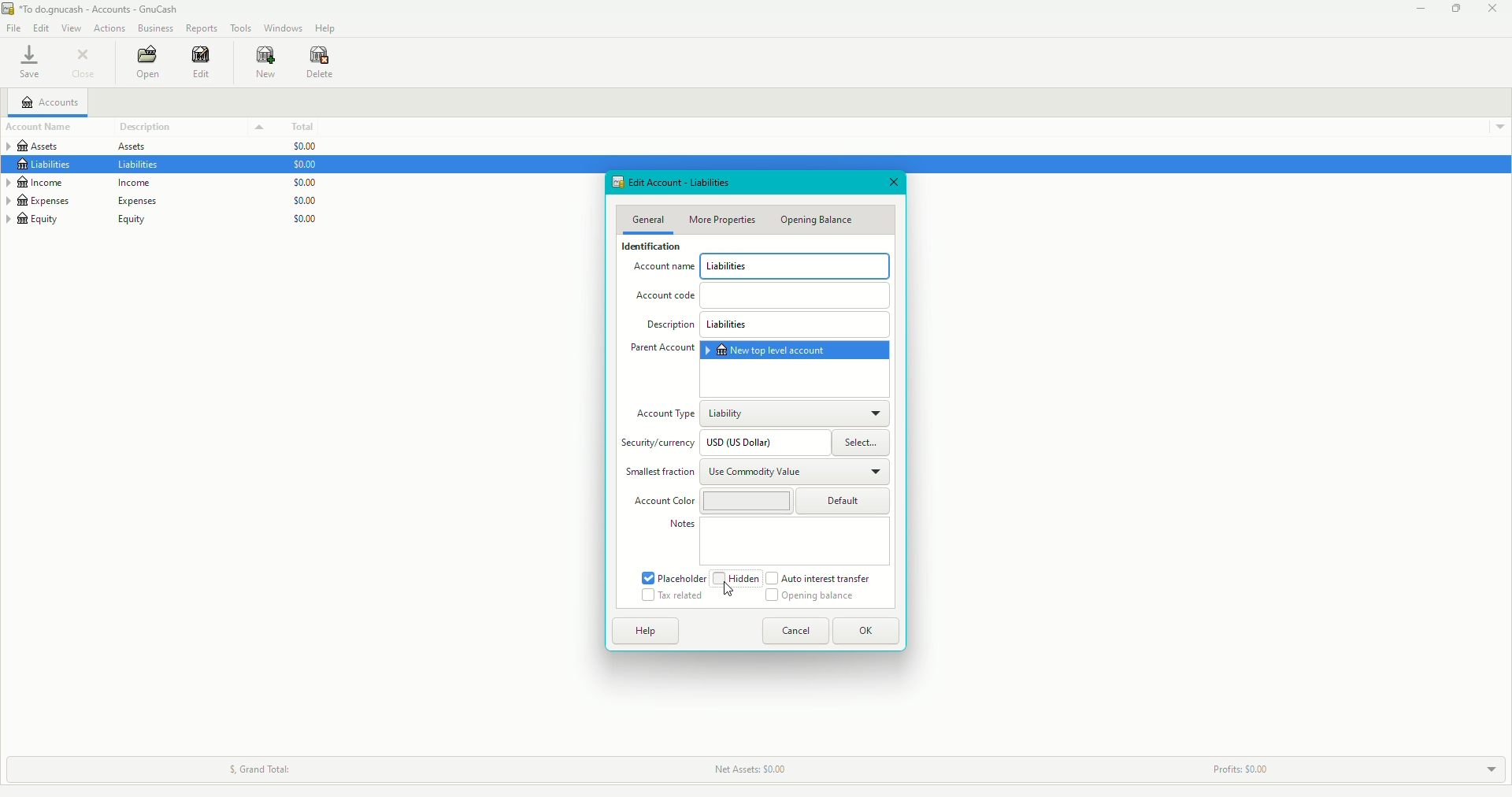 The width and height of the screenshot is (1512, 797). I want to click on Save, so click(30, 63).